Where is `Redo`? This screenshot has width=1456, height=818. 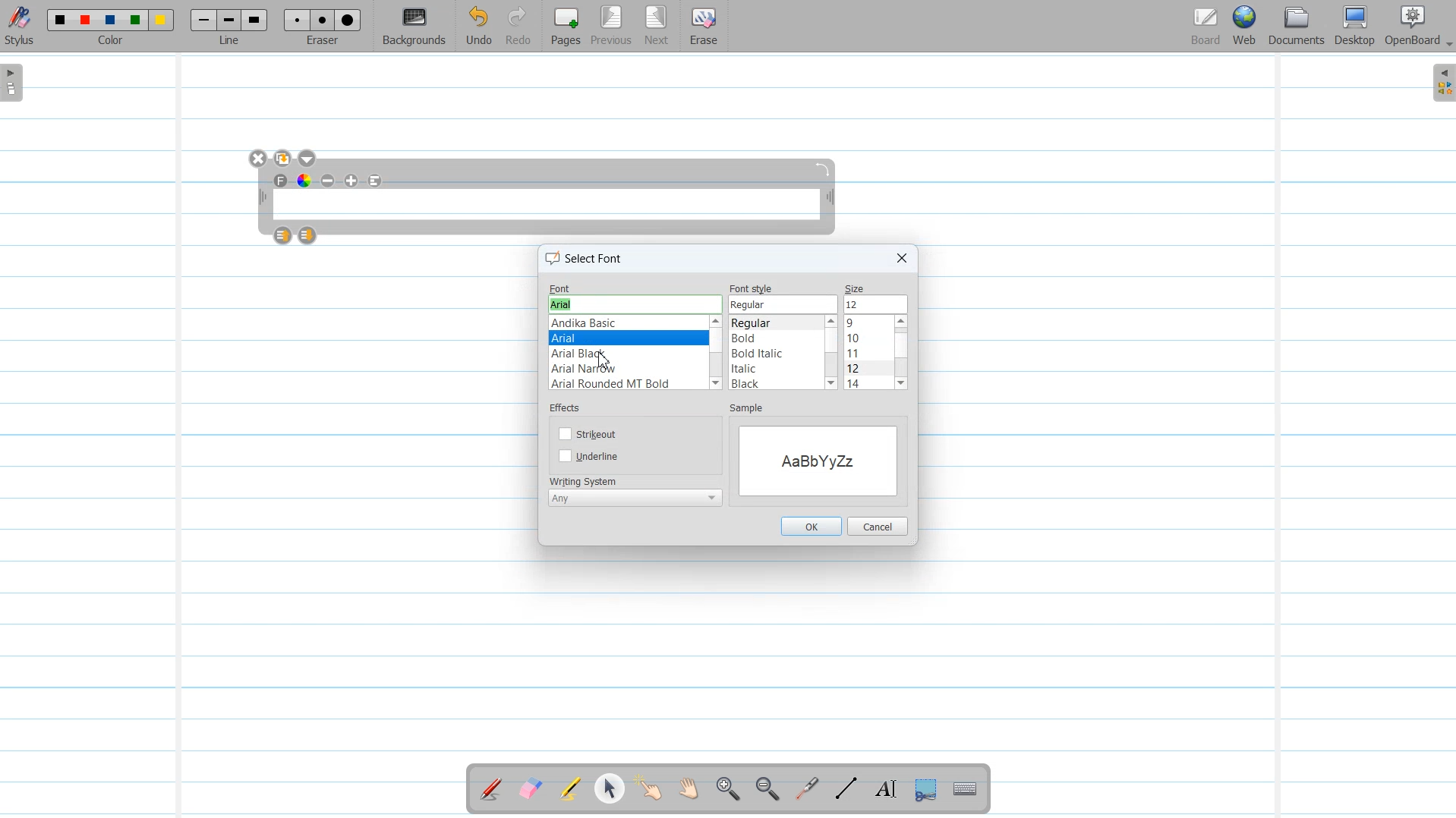 Redo is located at coordinates (518, 27).